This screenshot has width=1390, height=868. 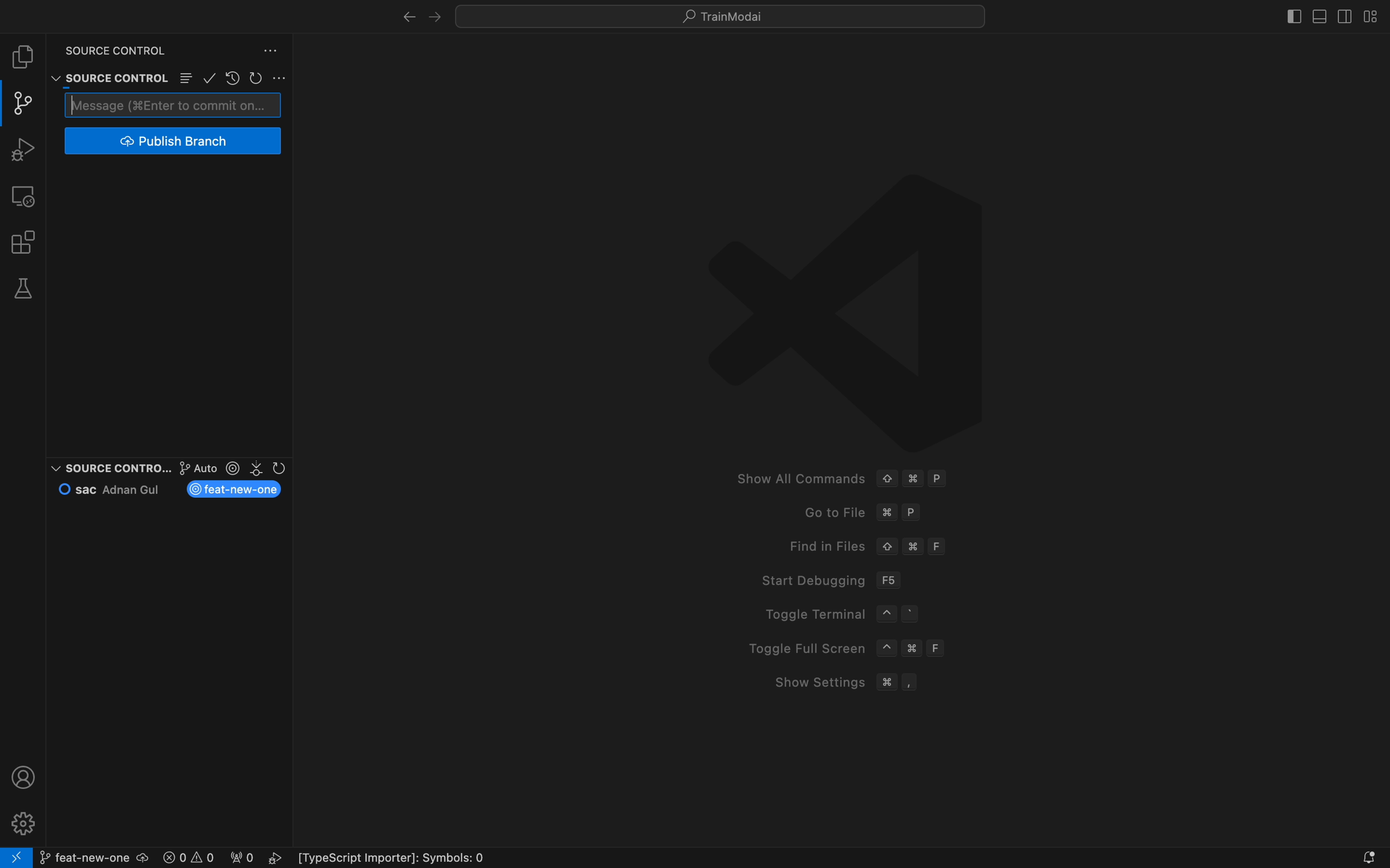 What do you see at coordinates (115, 489) in the screenshot?
I see `commit and author name` at bounding box center [115, 489].